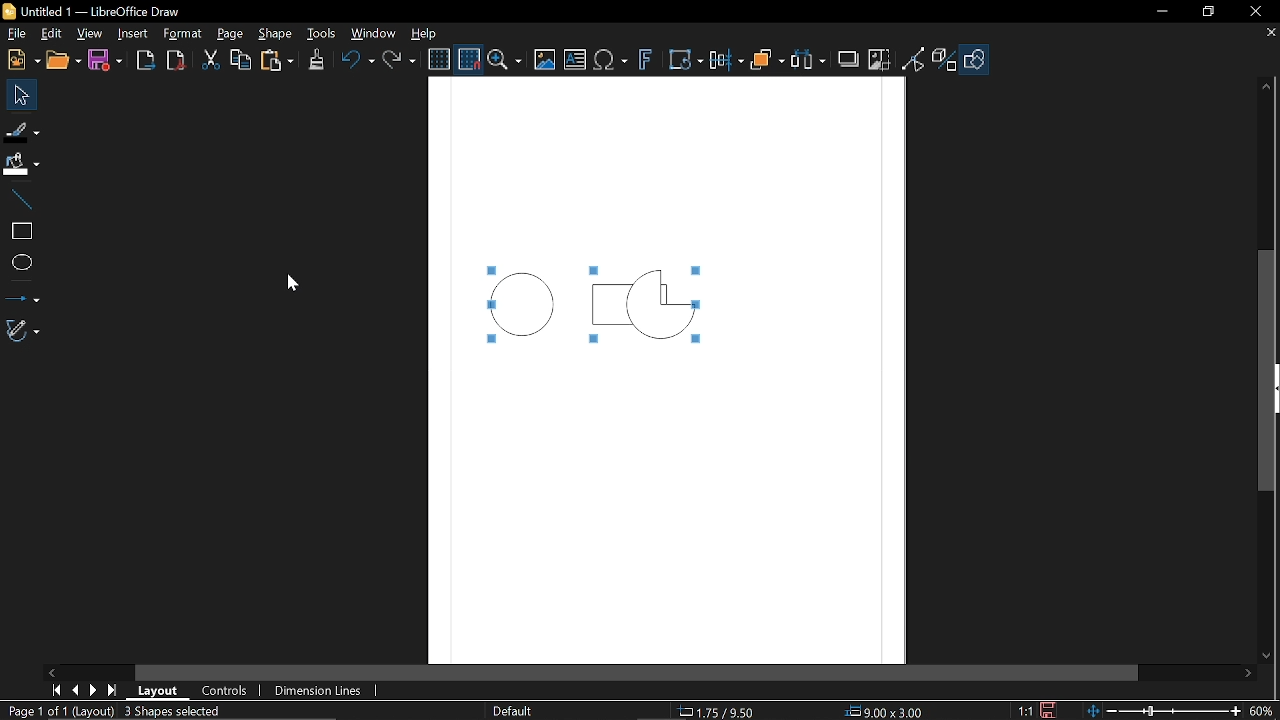 This screenshot has height=720, width=1280. I want to click on Shape, so click(274, 35).